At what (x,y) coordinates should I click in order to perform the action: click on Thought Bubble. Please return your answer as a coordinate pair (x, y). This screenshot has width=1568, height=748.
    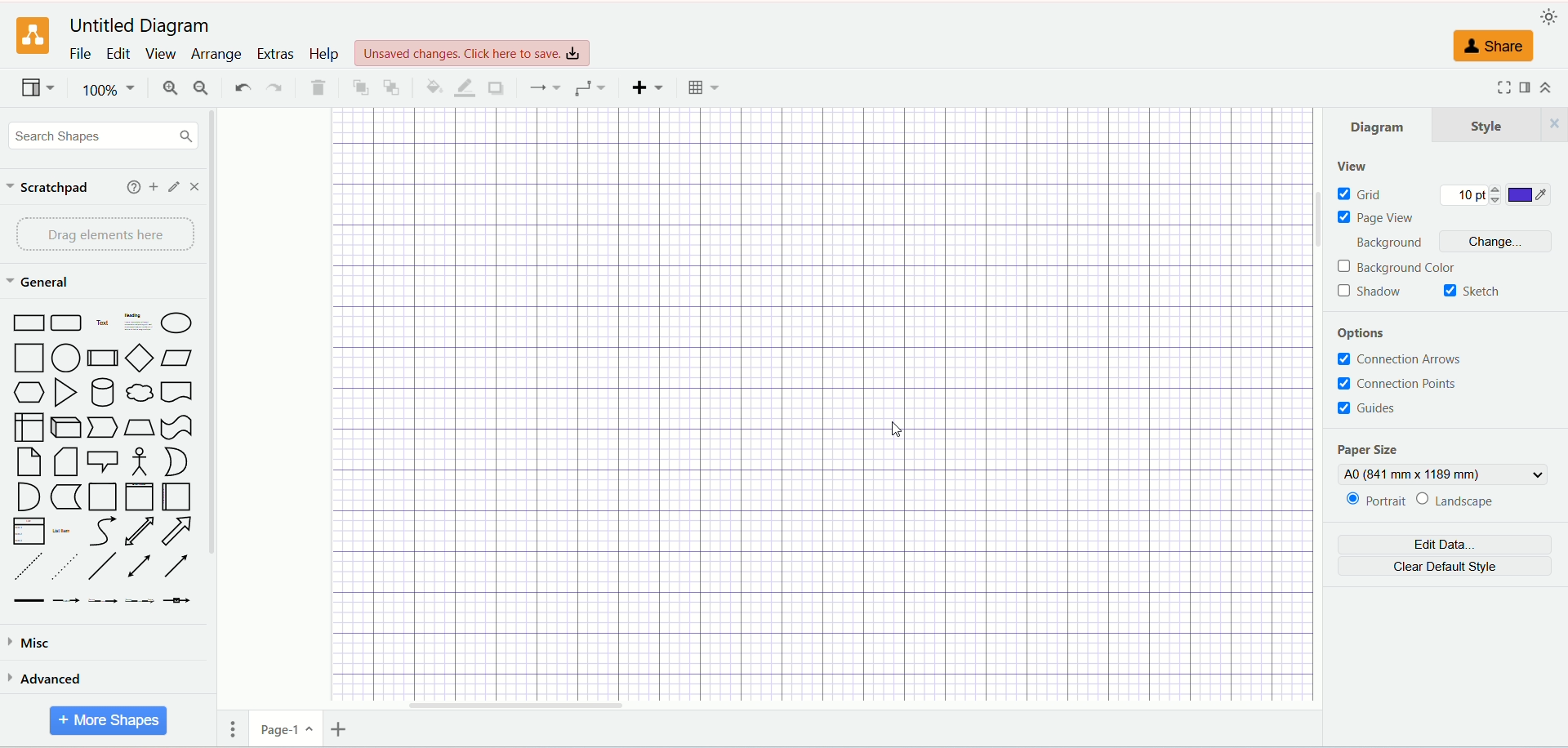
    Looking at the image, I should click on (140, 394).